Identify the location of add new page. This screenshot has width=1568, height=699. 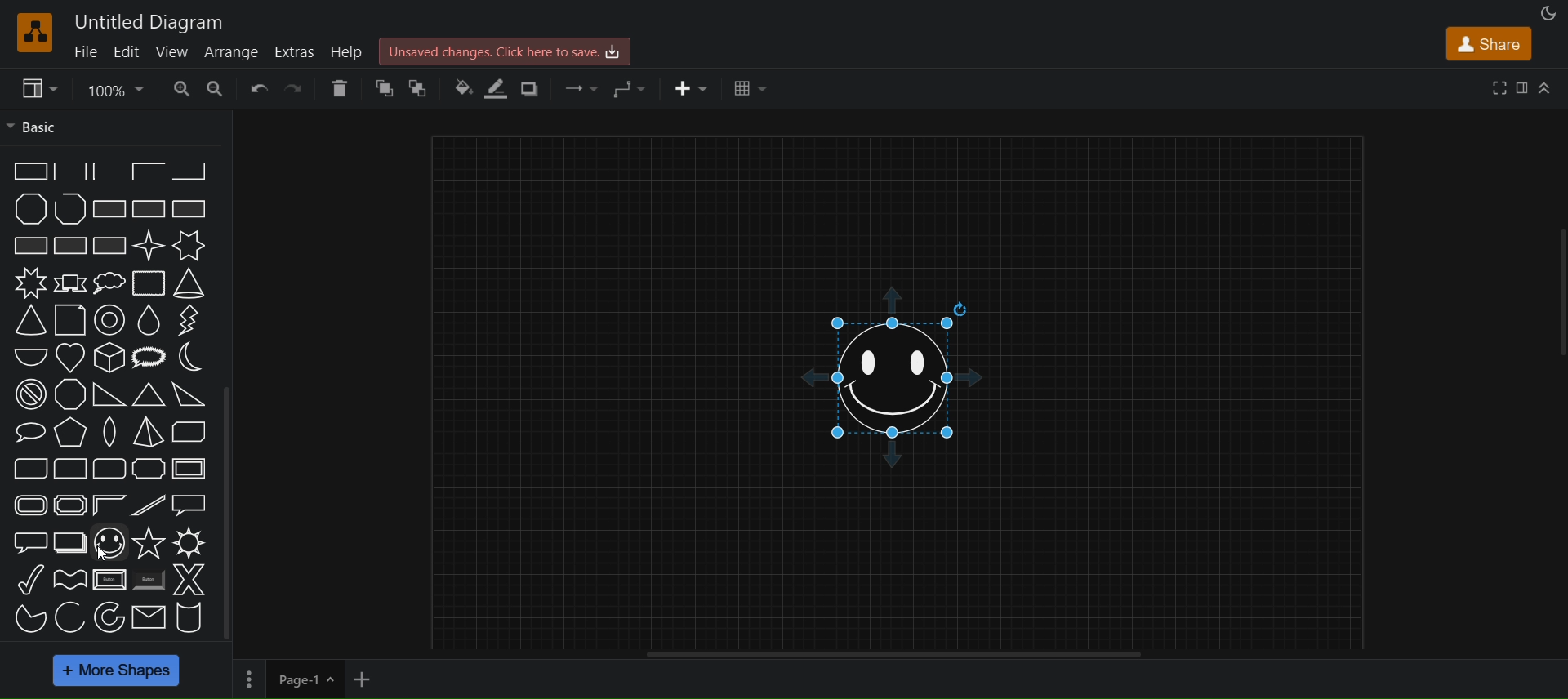
(364, 679).